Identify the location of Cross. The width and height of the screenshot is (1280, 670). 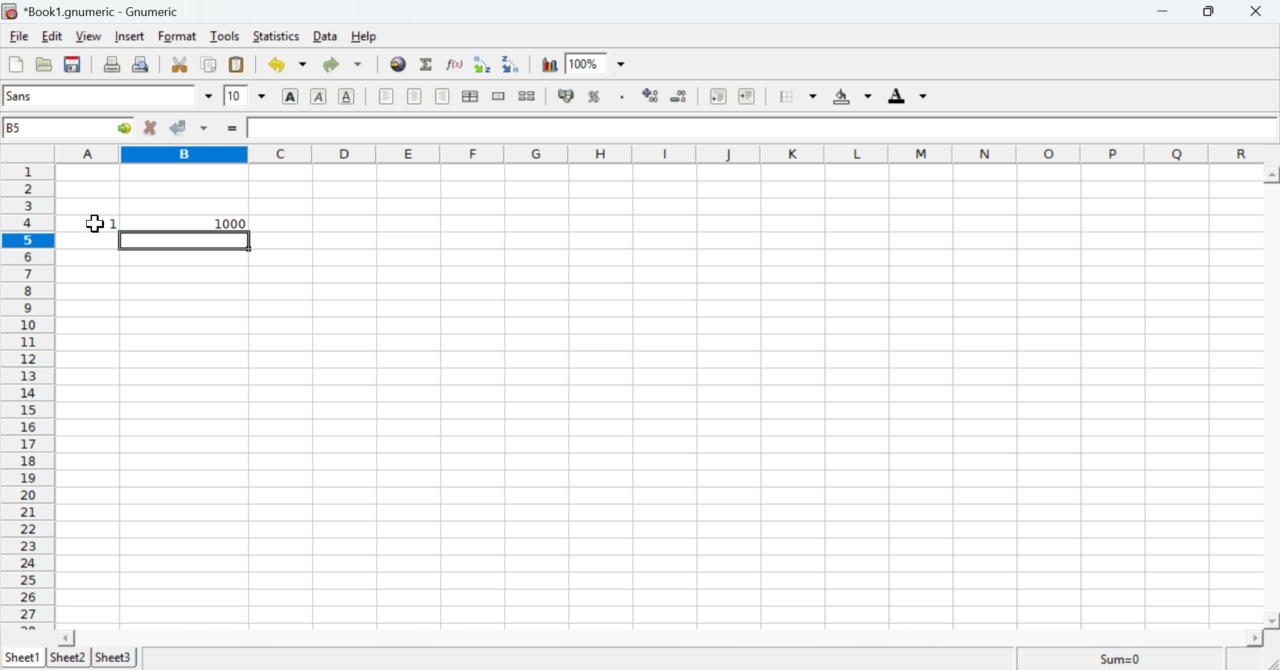
(1258, 12).